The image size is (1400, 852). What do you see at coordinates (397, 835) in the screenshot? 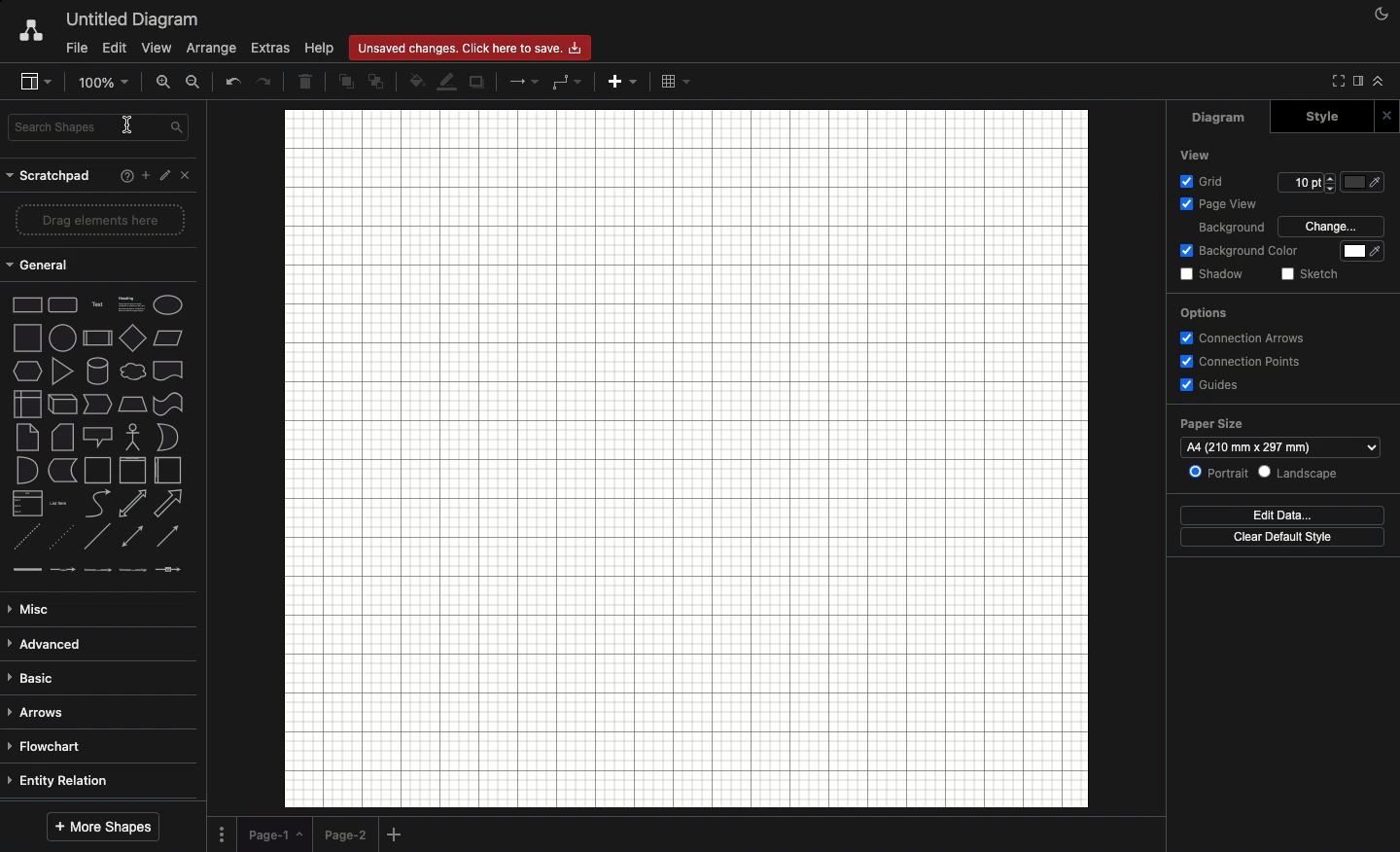
I see `Add` at bounding box center [397, 835].